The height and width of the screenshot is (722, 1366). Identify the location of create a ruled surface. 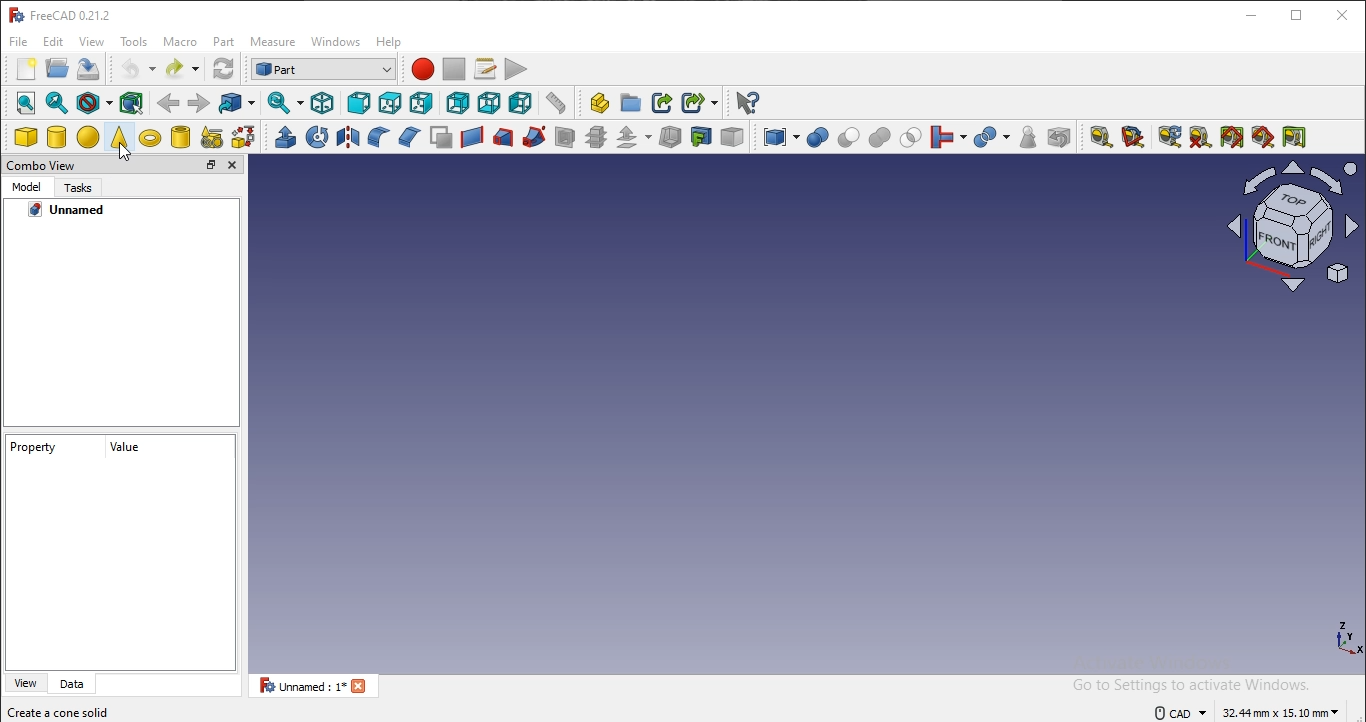
(470, 137).